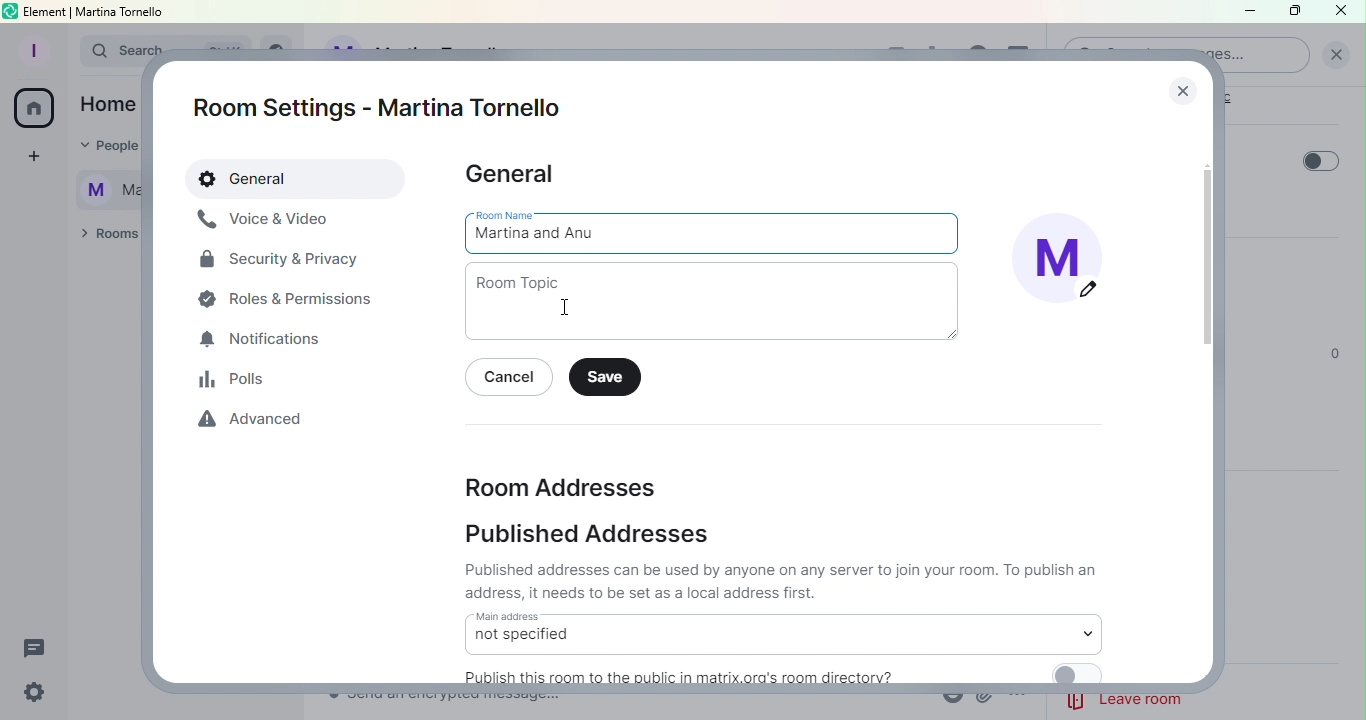  Describe the element at coordinates (34, 111) in the screenshot. I see `Home` at that location.